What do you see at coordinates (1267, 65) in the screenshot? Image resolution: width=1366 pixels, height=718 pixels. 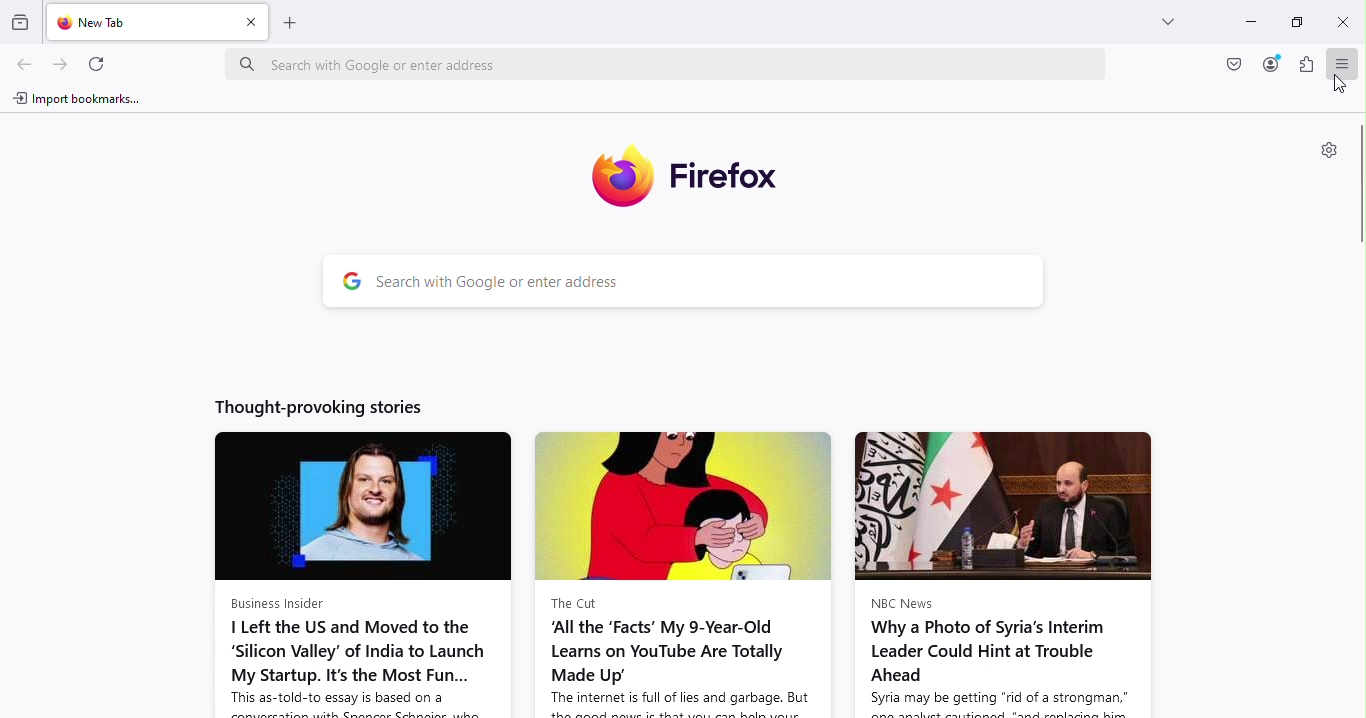 I see `Account` at bounding box center [1267, 65].